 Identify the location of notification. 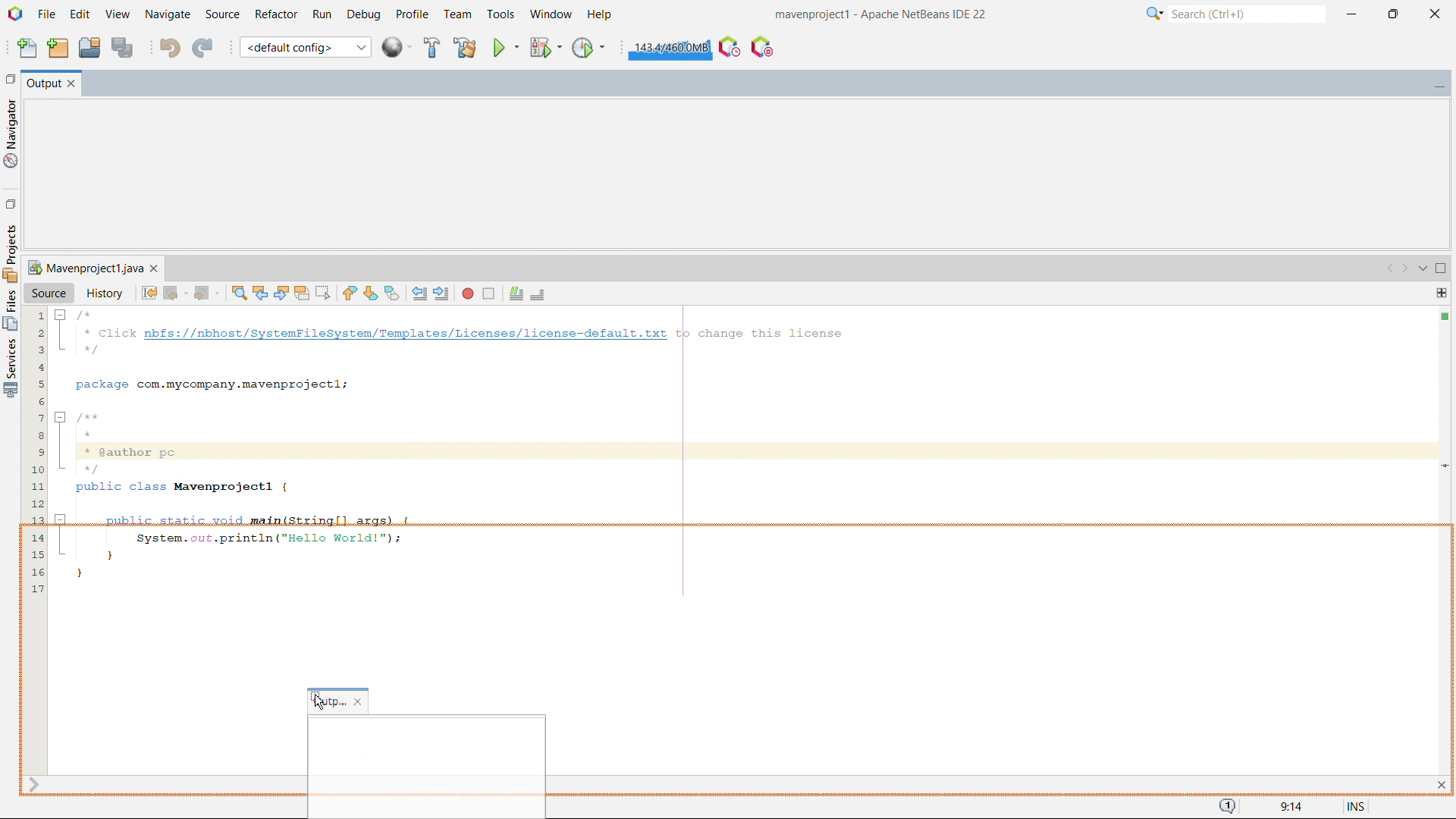
(1228, 807).